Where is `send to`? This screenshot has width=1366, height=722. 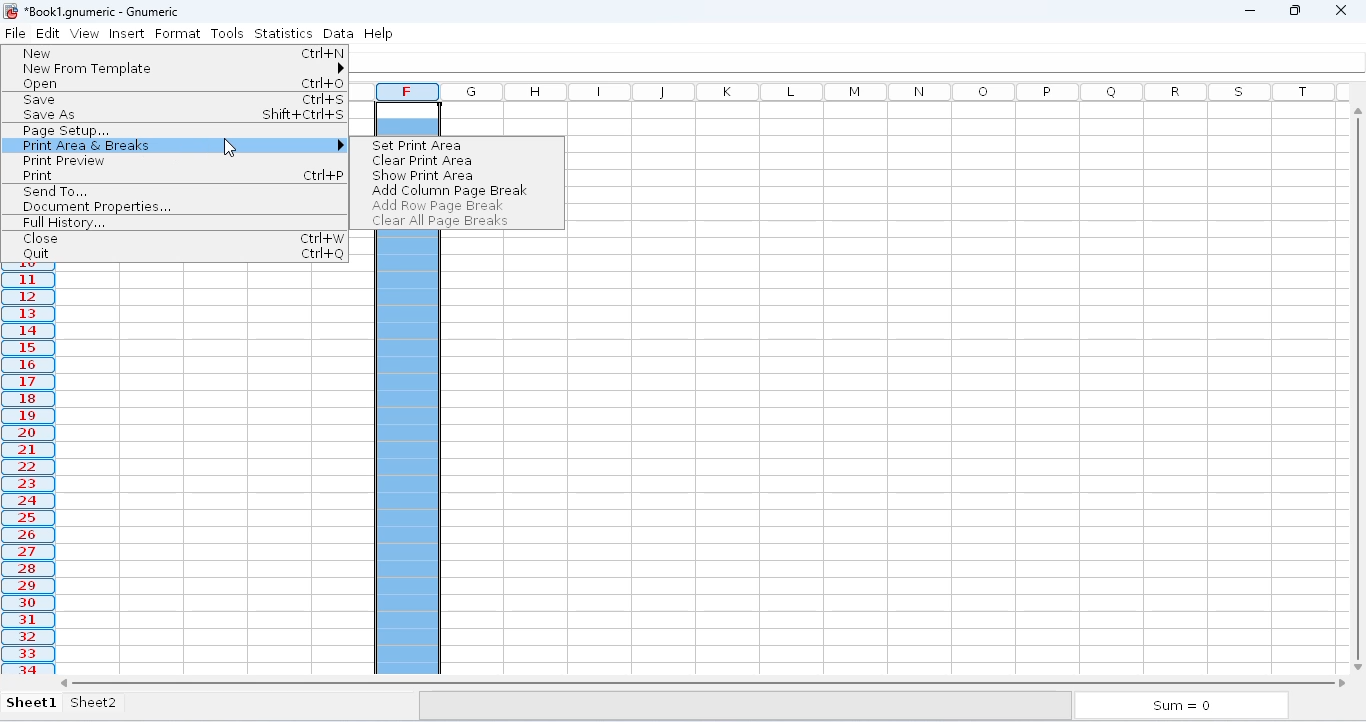
send to is located at coordinates (54, 191).